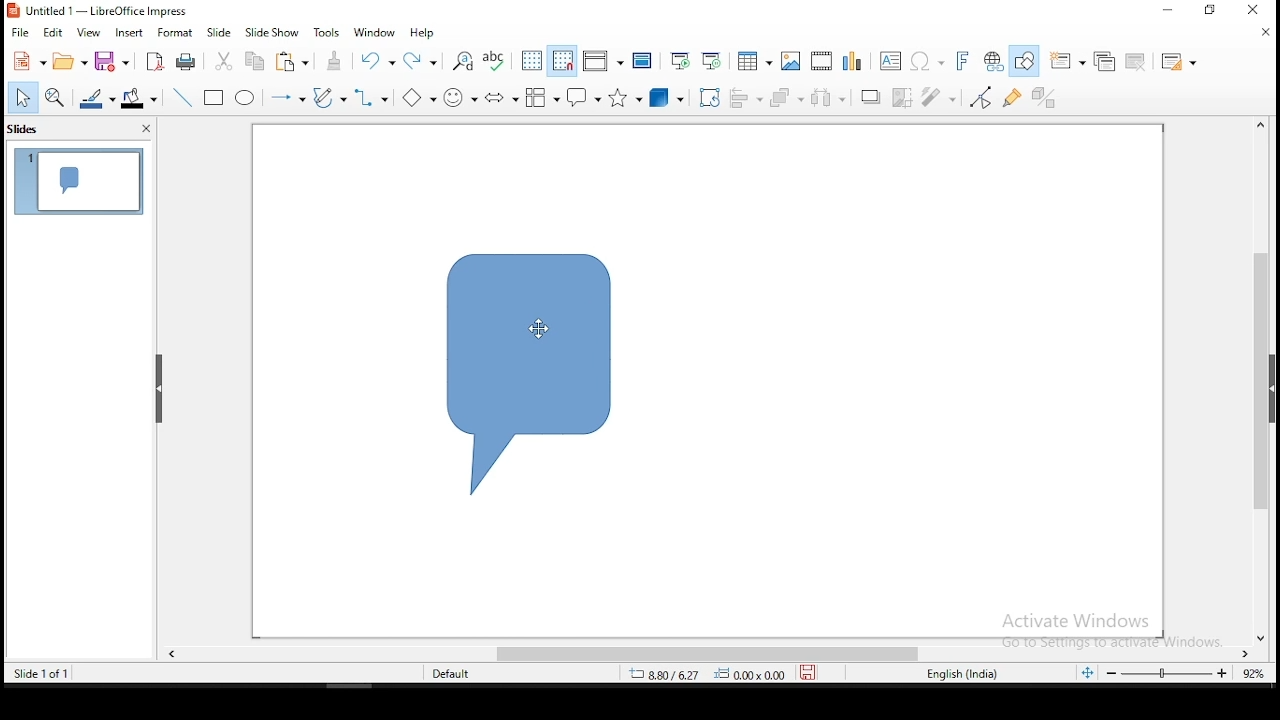 The image size is (1280, 720). I want to click on show draw functions, so click(1026, 62).